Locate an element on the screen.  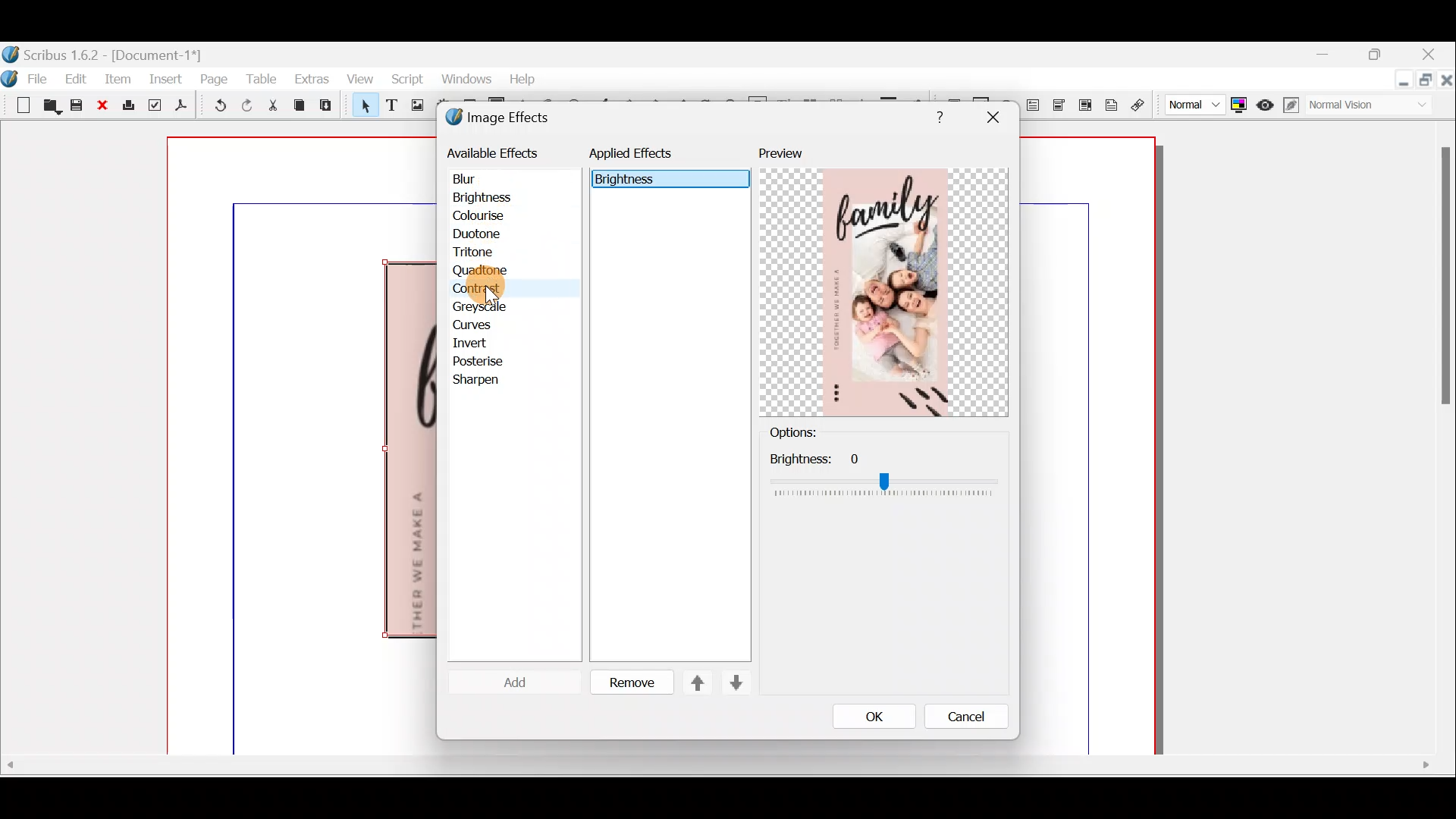
Select item is located at coordinates (362, 108).